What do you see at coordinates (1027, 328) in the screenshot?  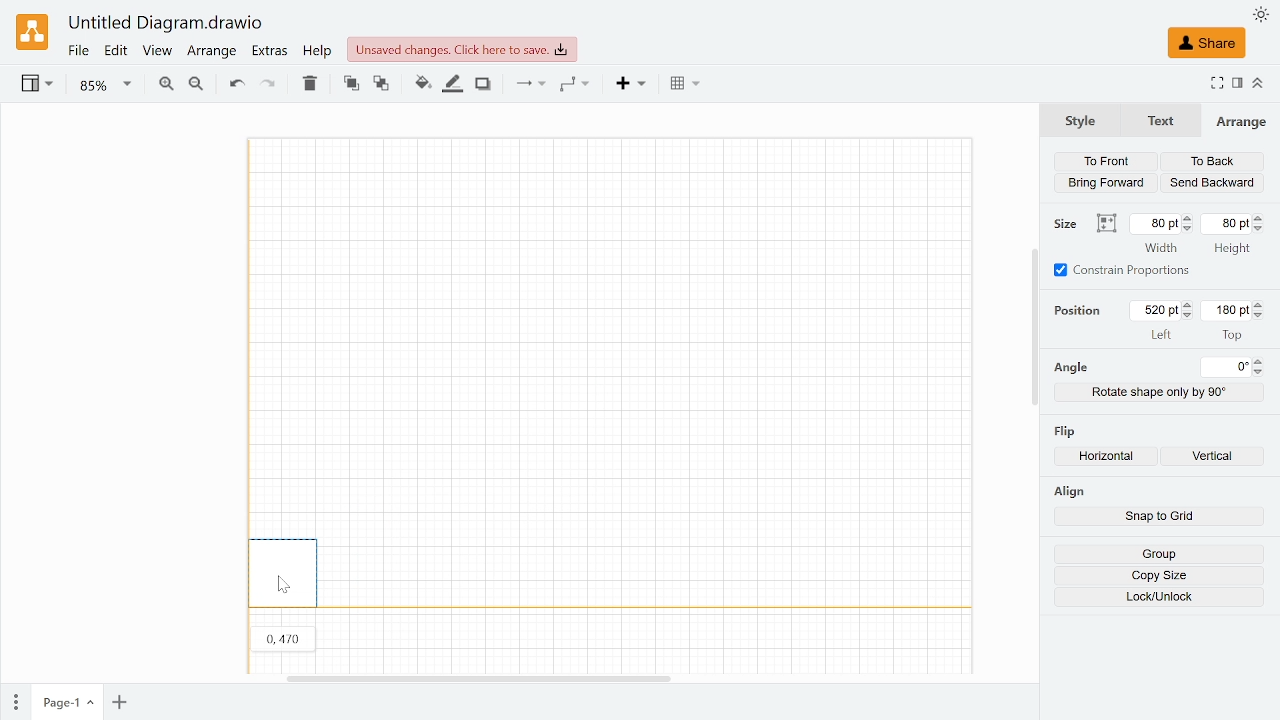 I see `Vertical Scroll Bar` at bounding box center [1027, 328].